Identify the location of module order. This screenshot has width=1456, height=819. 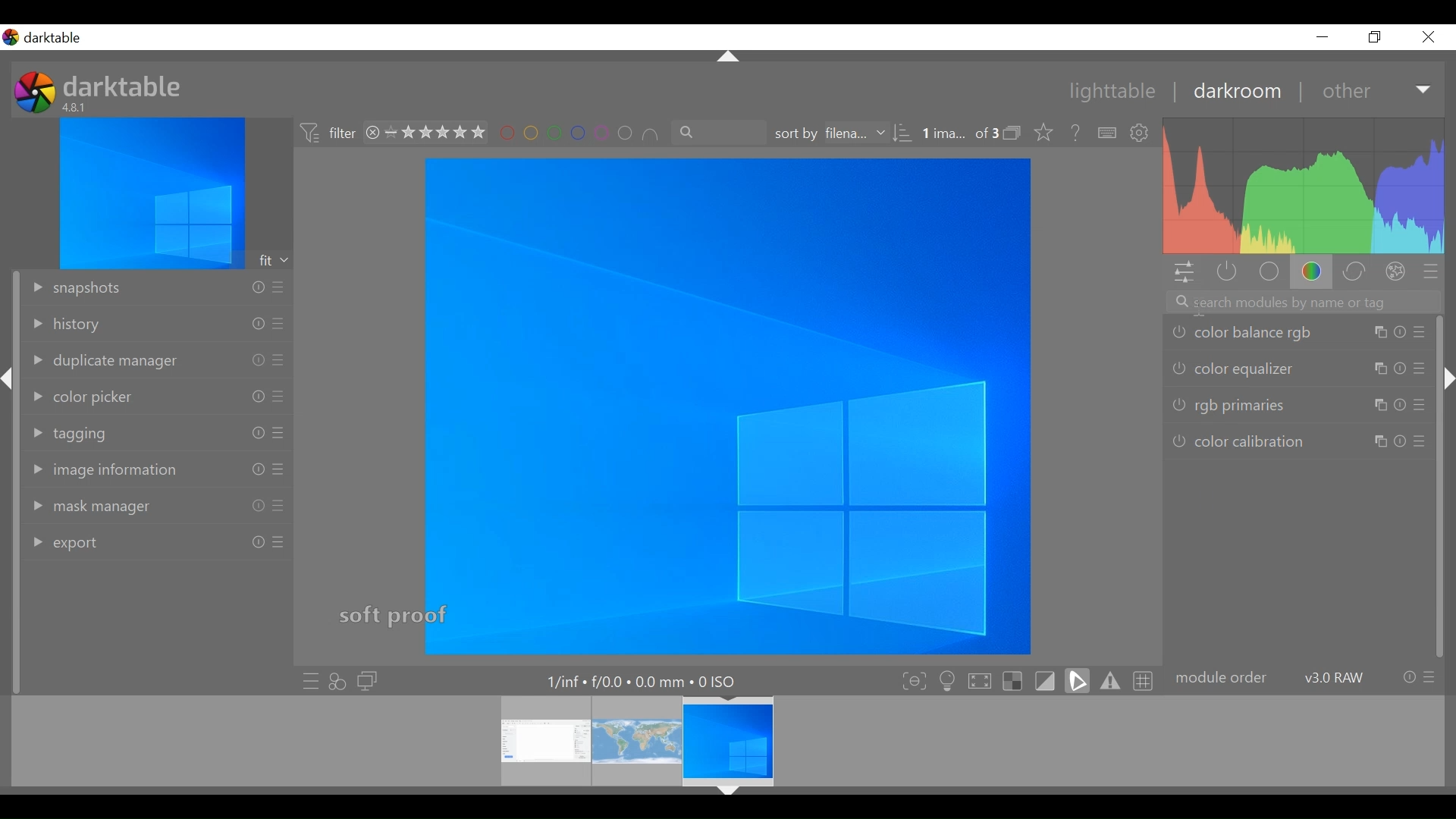
(1222, 679).